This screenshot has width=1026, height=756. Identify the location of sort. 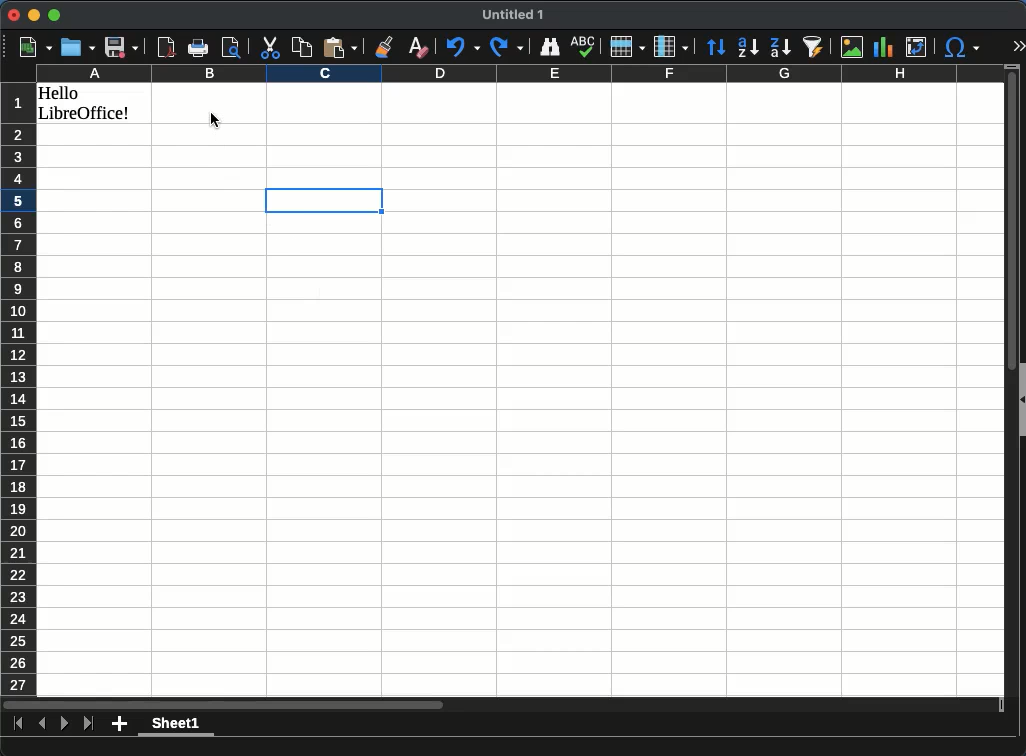
(715, 45).